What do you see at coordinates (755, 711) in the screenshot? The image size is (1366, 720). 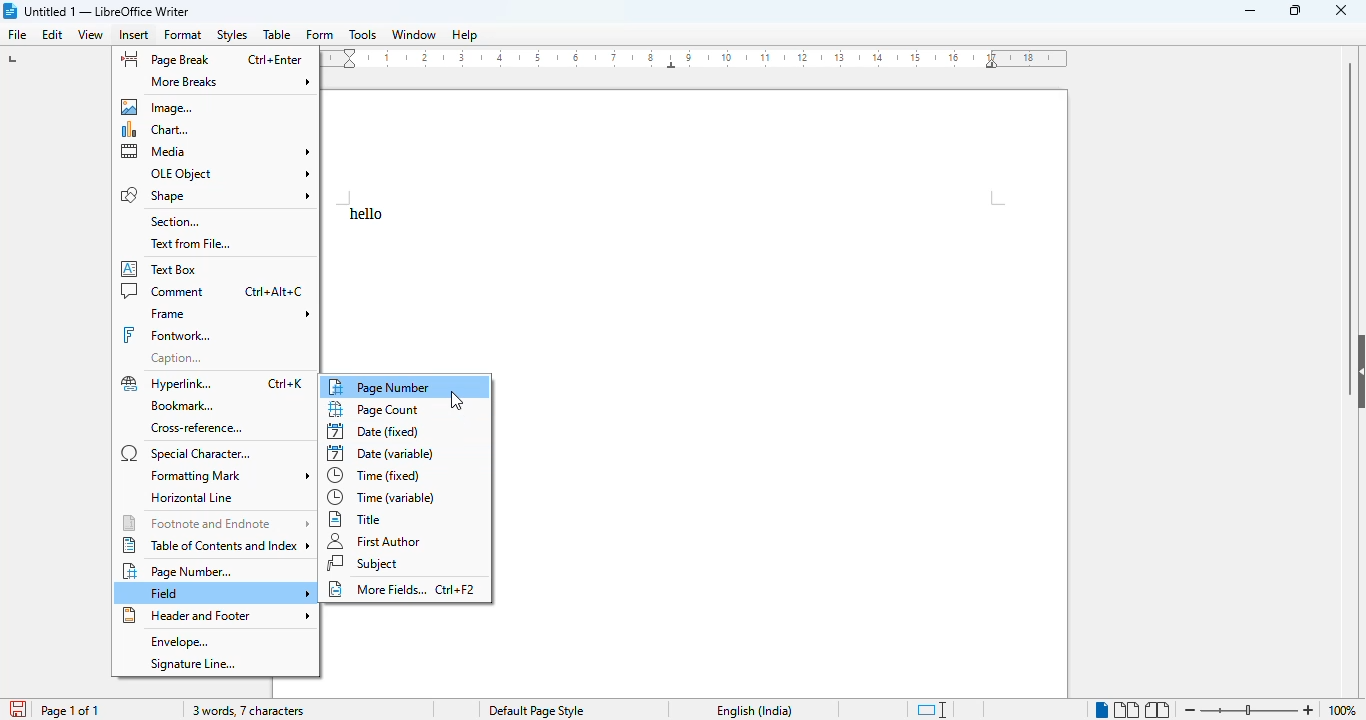 I see `text language` at bounding box center [755, 711].